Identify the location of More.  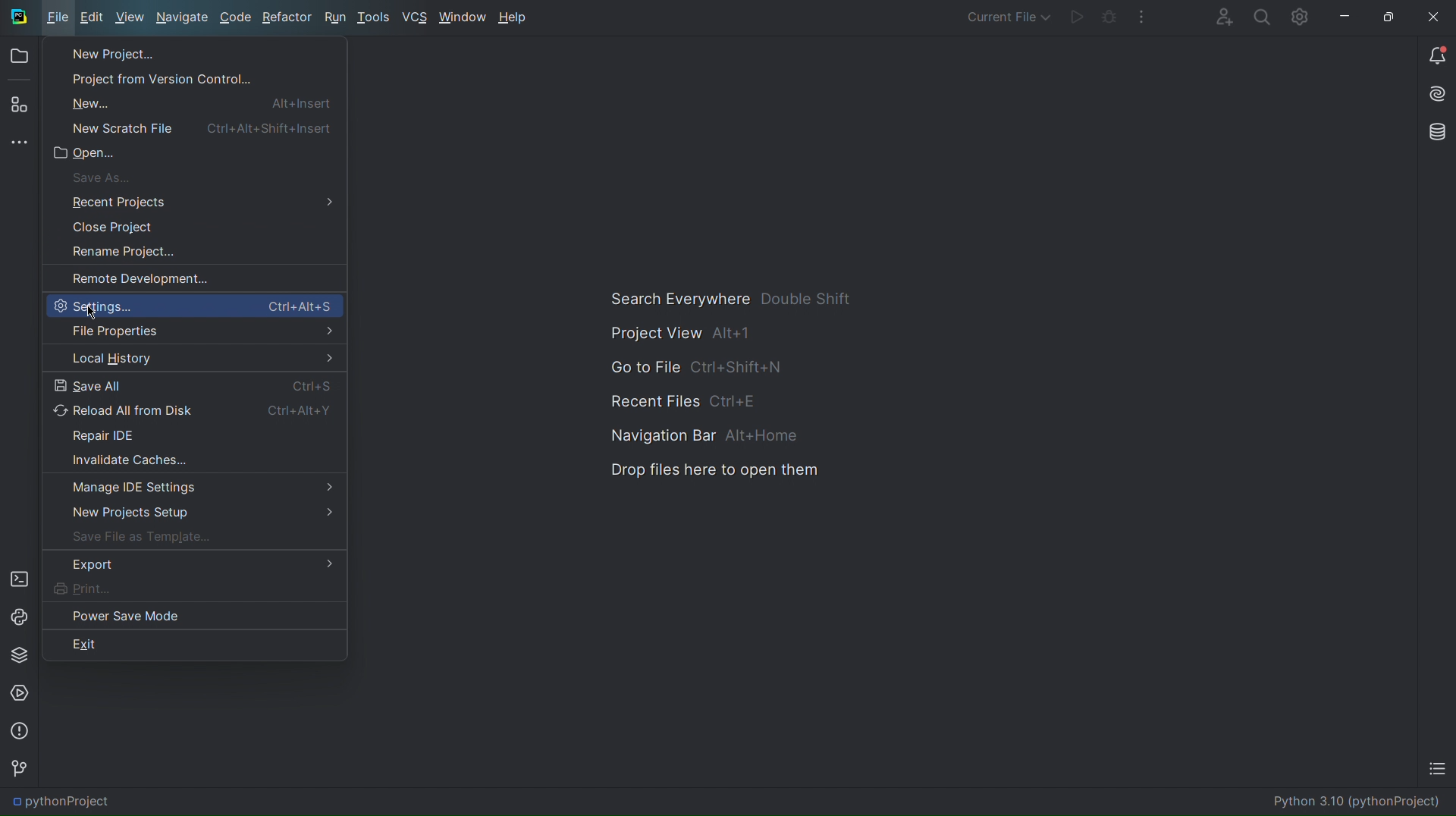
(21, 143).